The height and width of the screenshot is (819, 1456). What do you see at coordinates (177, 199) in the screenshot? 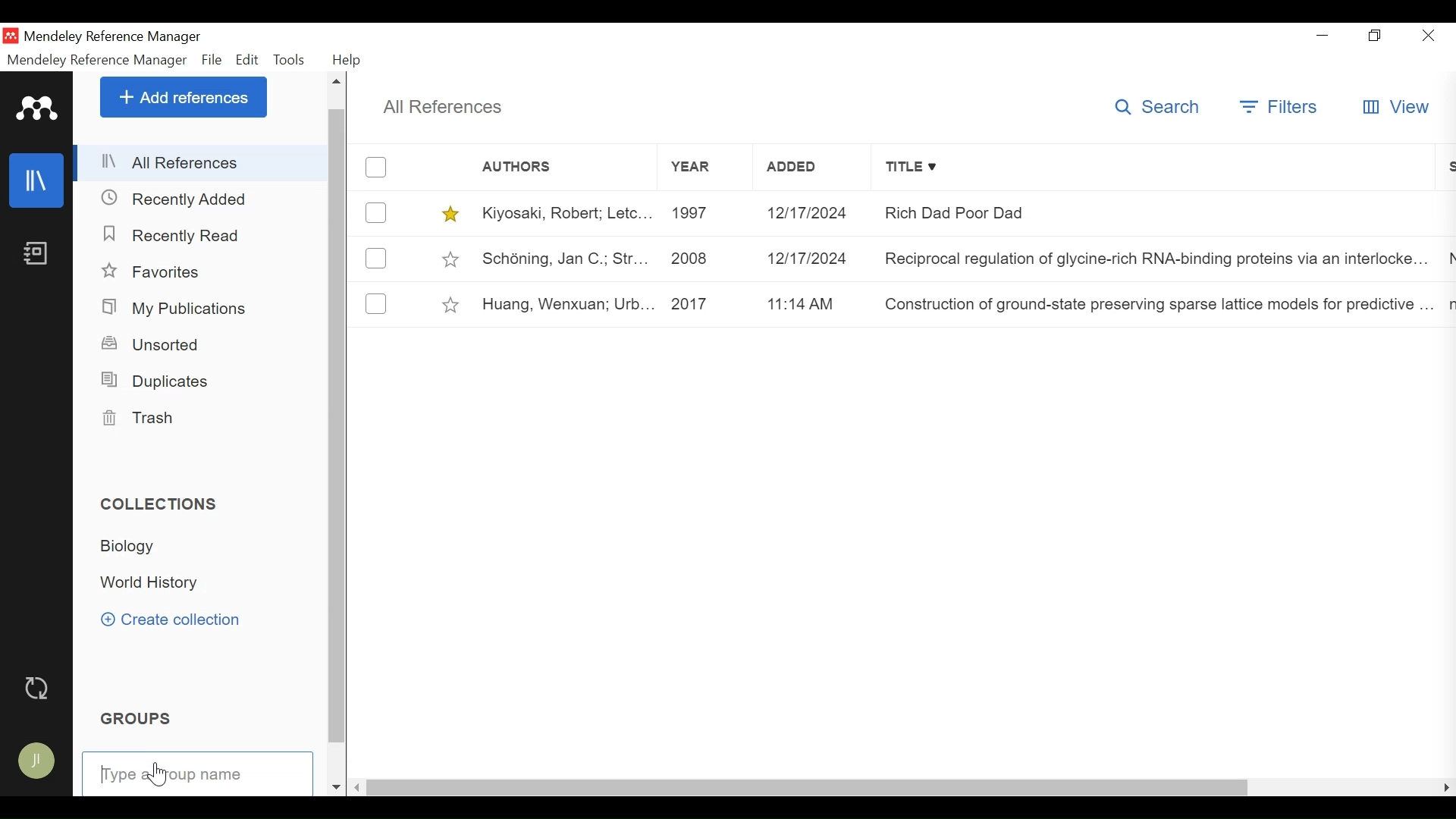
I see `Recently Added` at bounding box center [177, 199].